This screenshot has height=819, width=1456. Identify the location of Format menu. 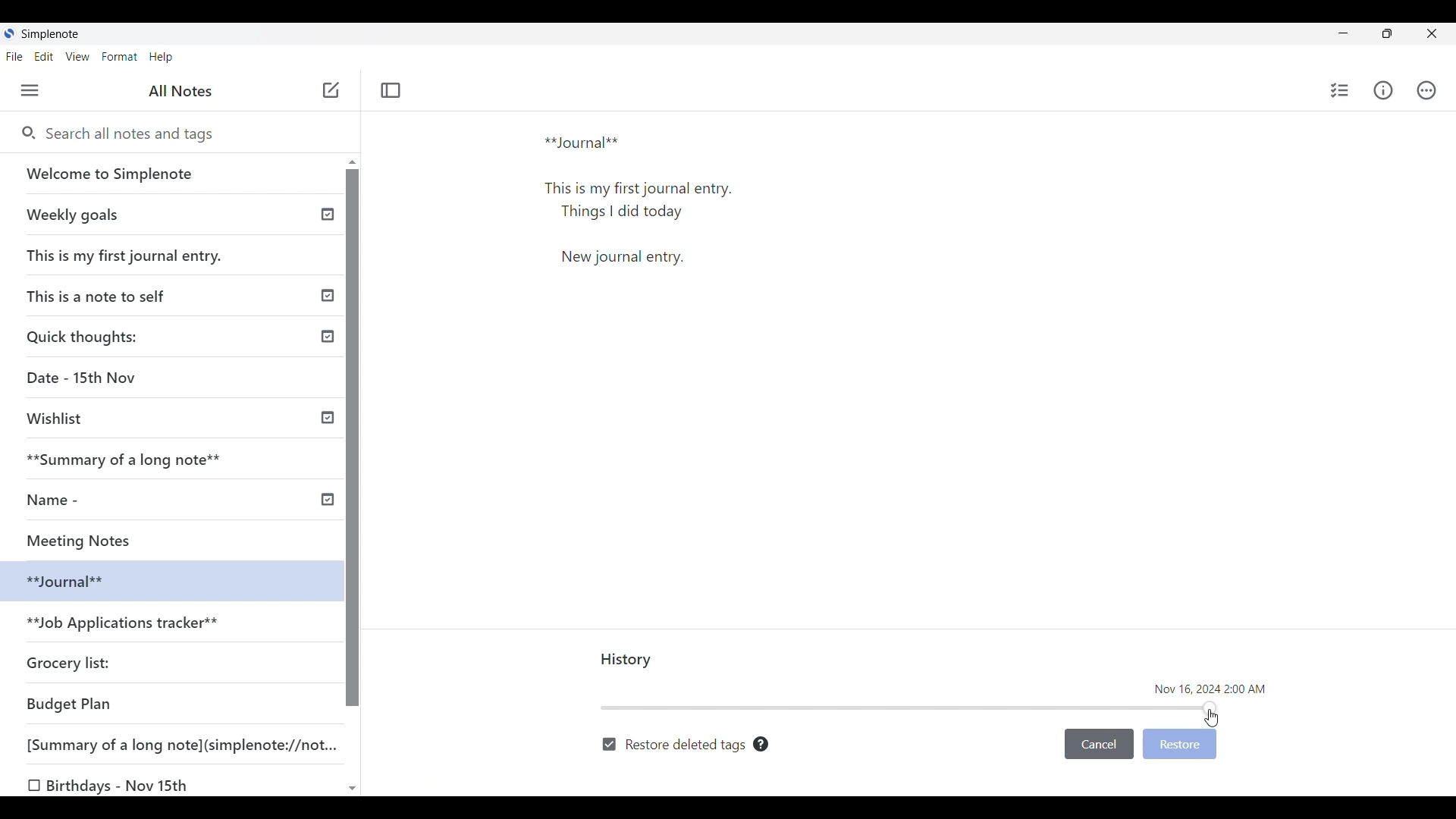
(121, 57).